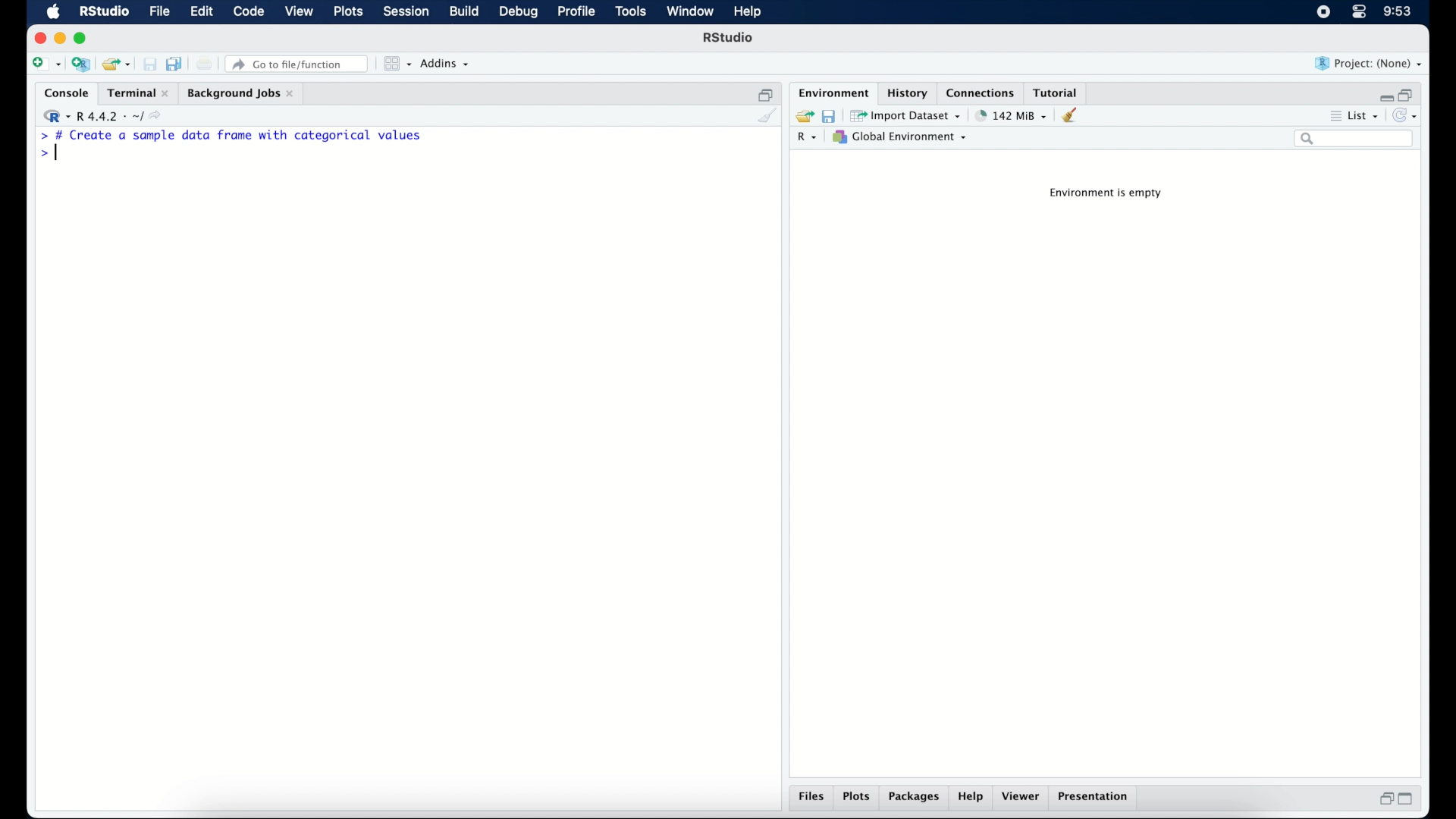 The image size is (1456, 819). Describe the element at coordinates (905, 137) in the screenshot. I see `global environment` at that location.